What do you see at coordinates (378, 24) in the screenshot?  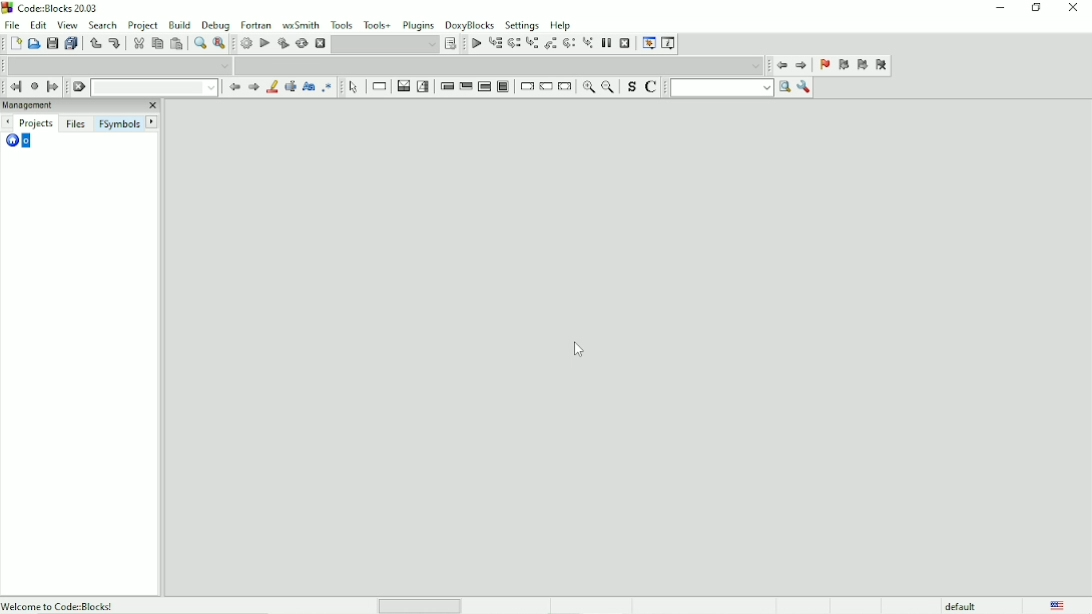 I see `Tools+` at bounding box center [378, 24].